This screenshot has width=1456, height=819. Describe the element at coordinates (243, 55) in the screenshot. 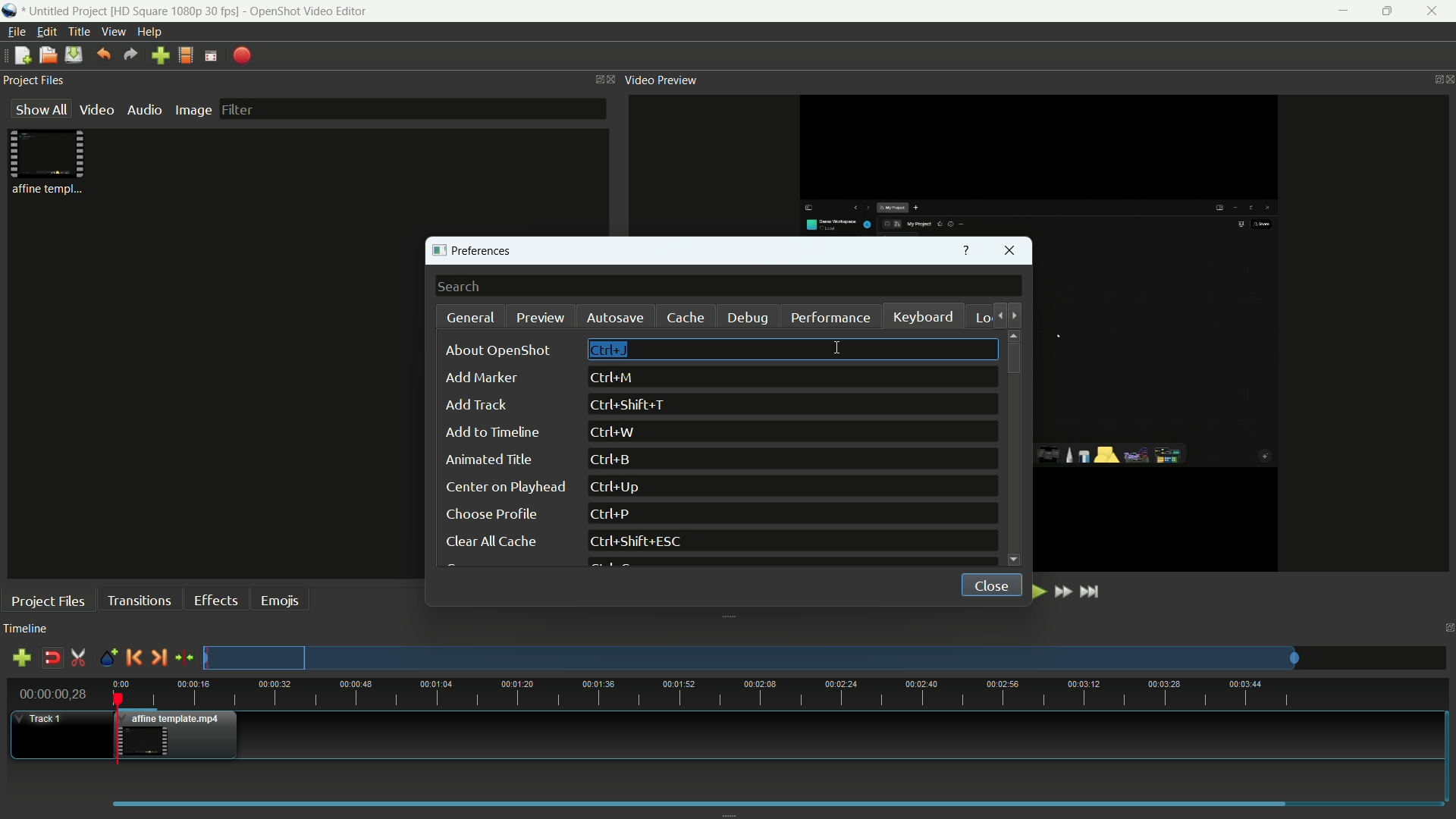

I see `export` at that location.